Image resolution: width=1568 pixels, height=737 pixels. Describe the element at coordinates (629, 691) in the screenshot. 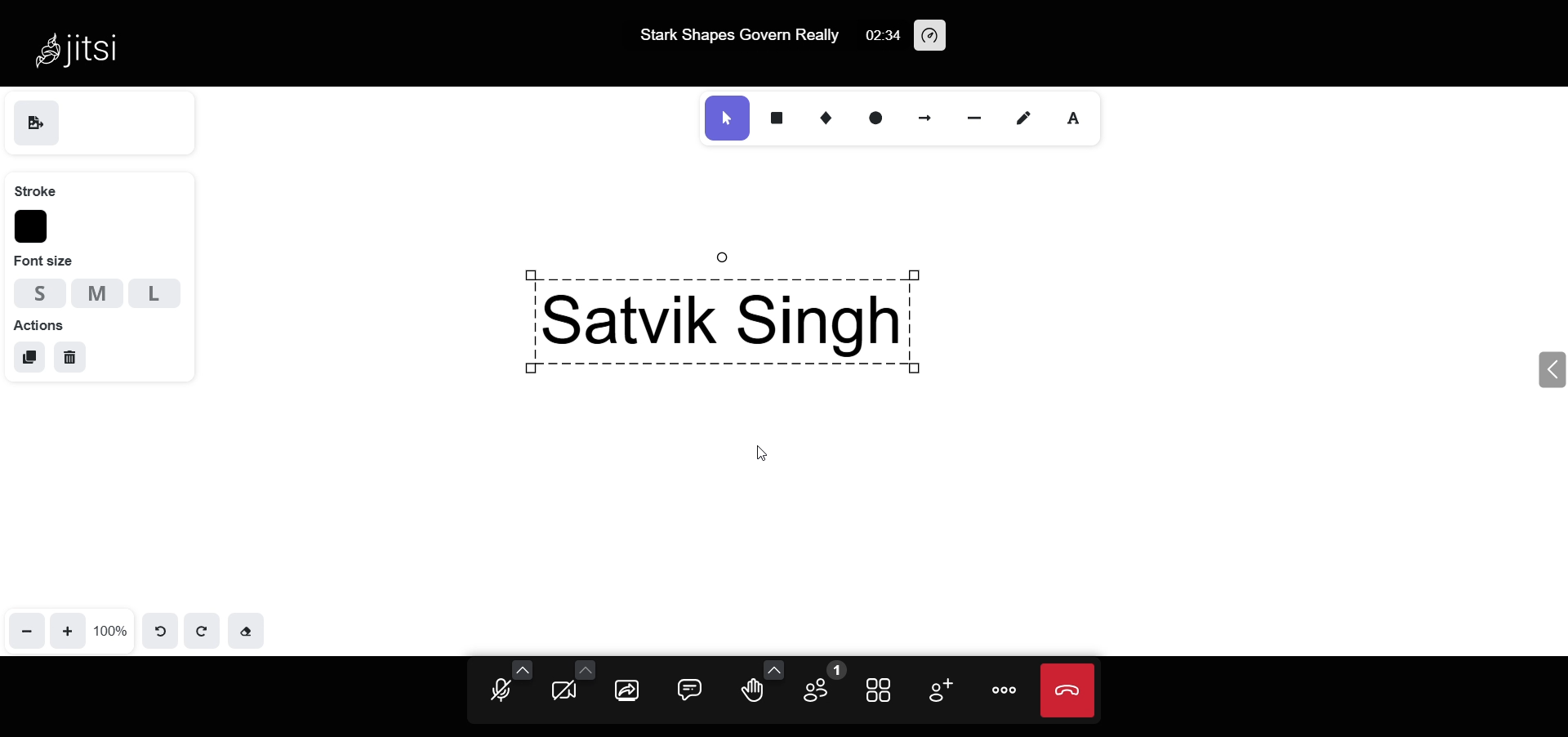

I see `screen share` at that location.